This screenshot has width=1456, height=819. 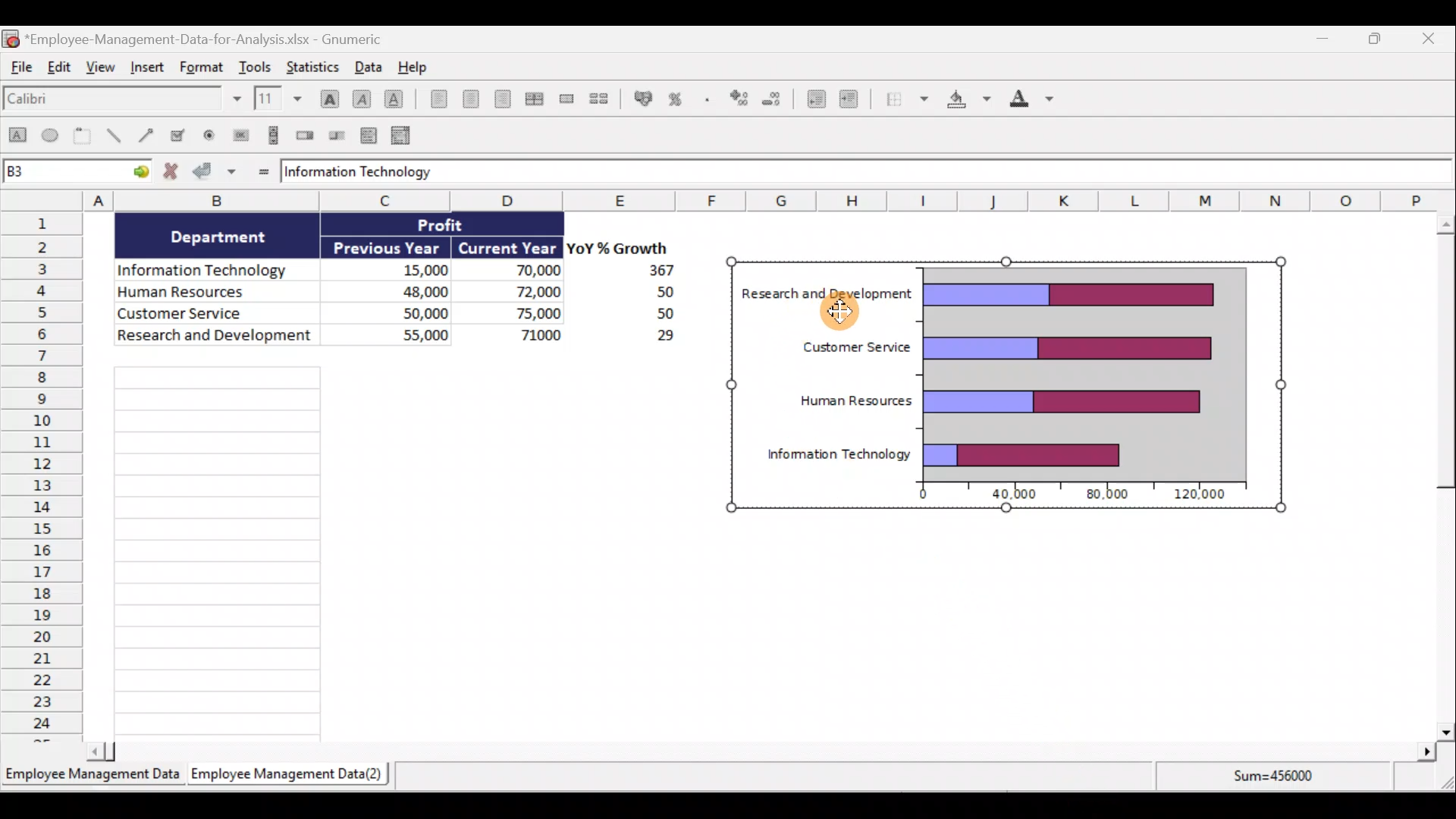 What do you see at coordinates (202, 65) in the screenshot?
I see `Format` at bounding box center [202, 65].